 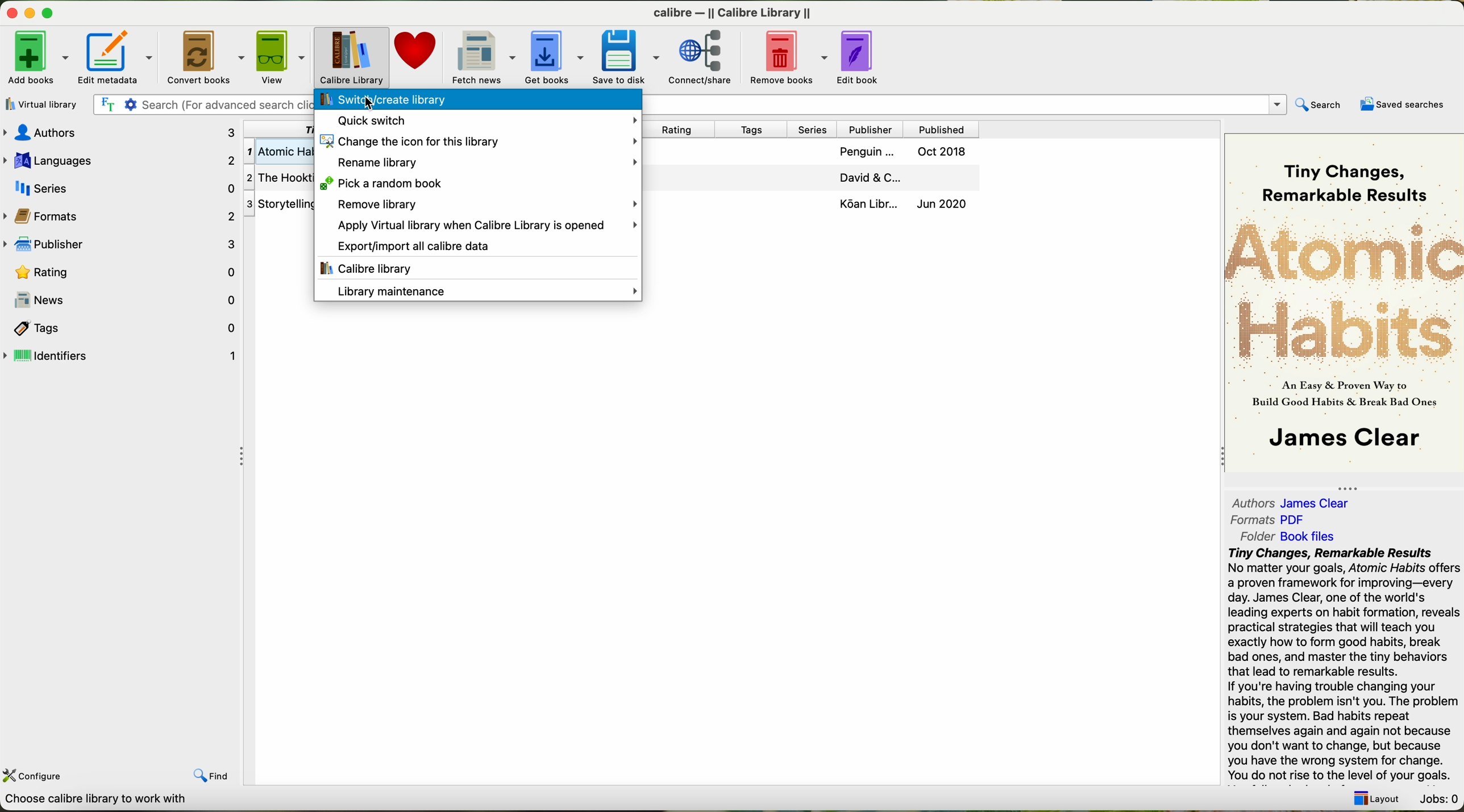 I want to click on configure, so click(x=48, y=772).